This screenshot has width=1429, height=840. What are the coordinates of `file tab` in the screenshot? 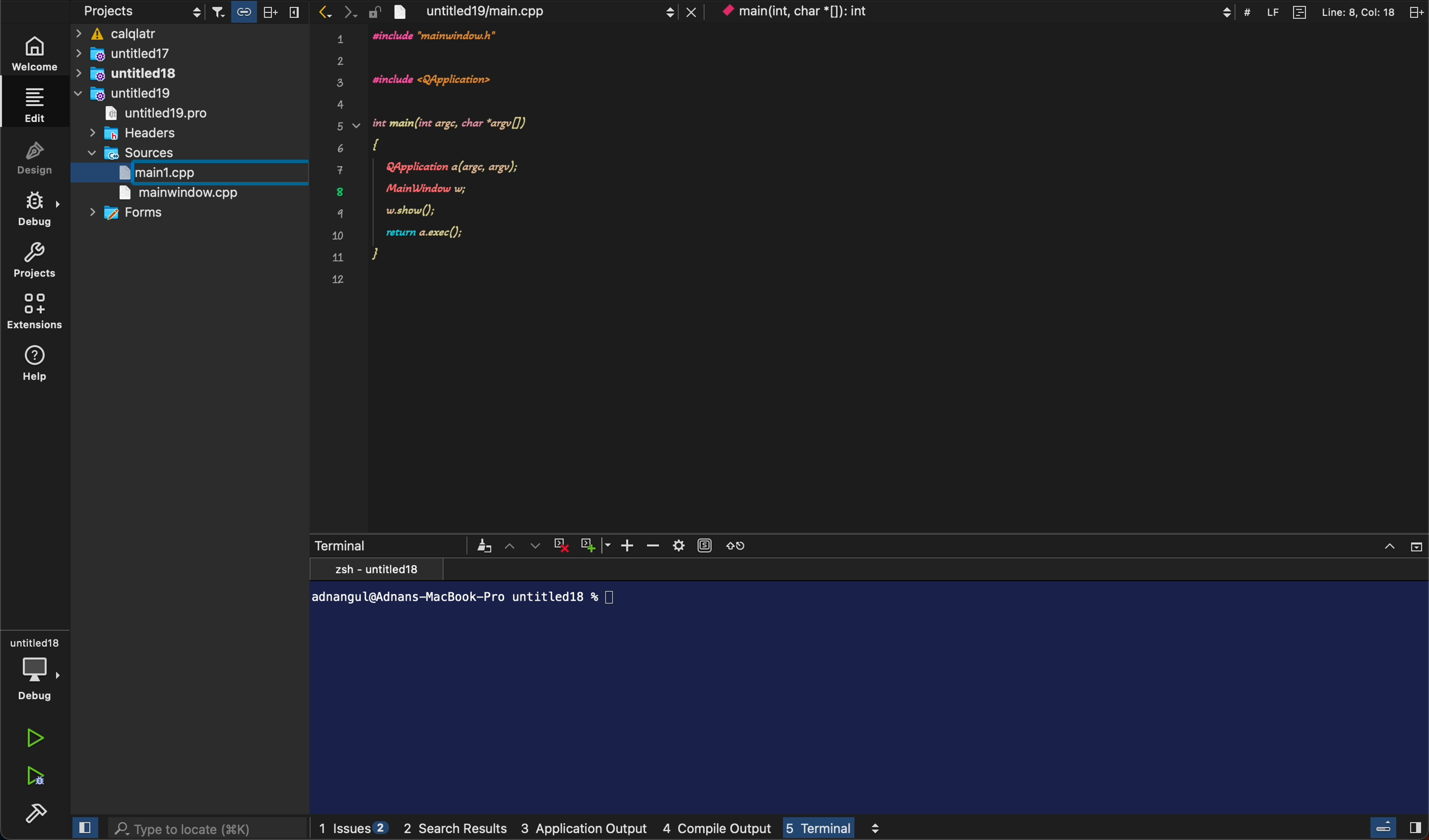 It's located at (543, 11).